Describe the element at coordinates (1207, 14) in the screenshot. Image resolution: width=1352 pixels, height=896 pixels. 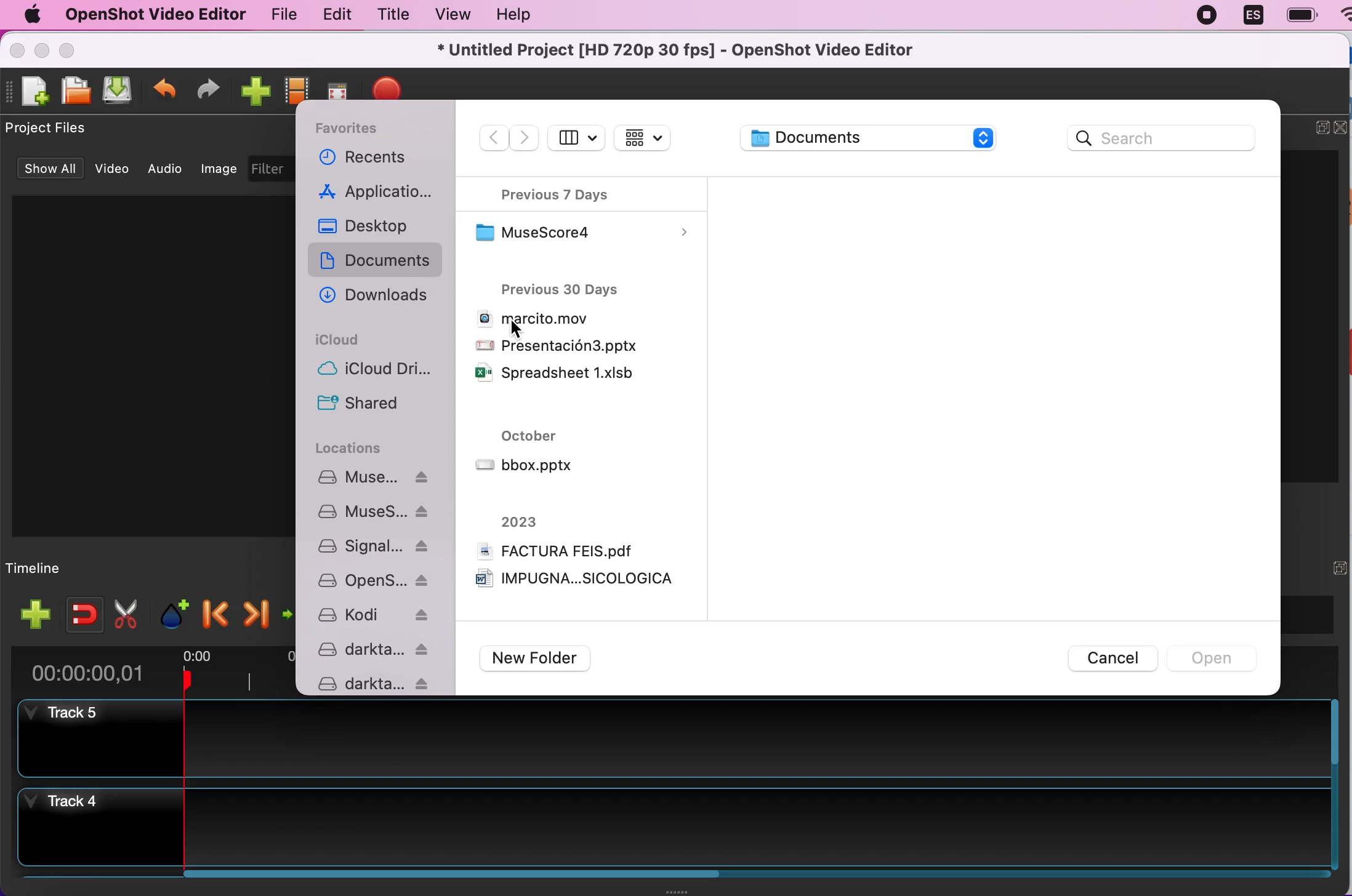
I see `recording stopped` at that location.